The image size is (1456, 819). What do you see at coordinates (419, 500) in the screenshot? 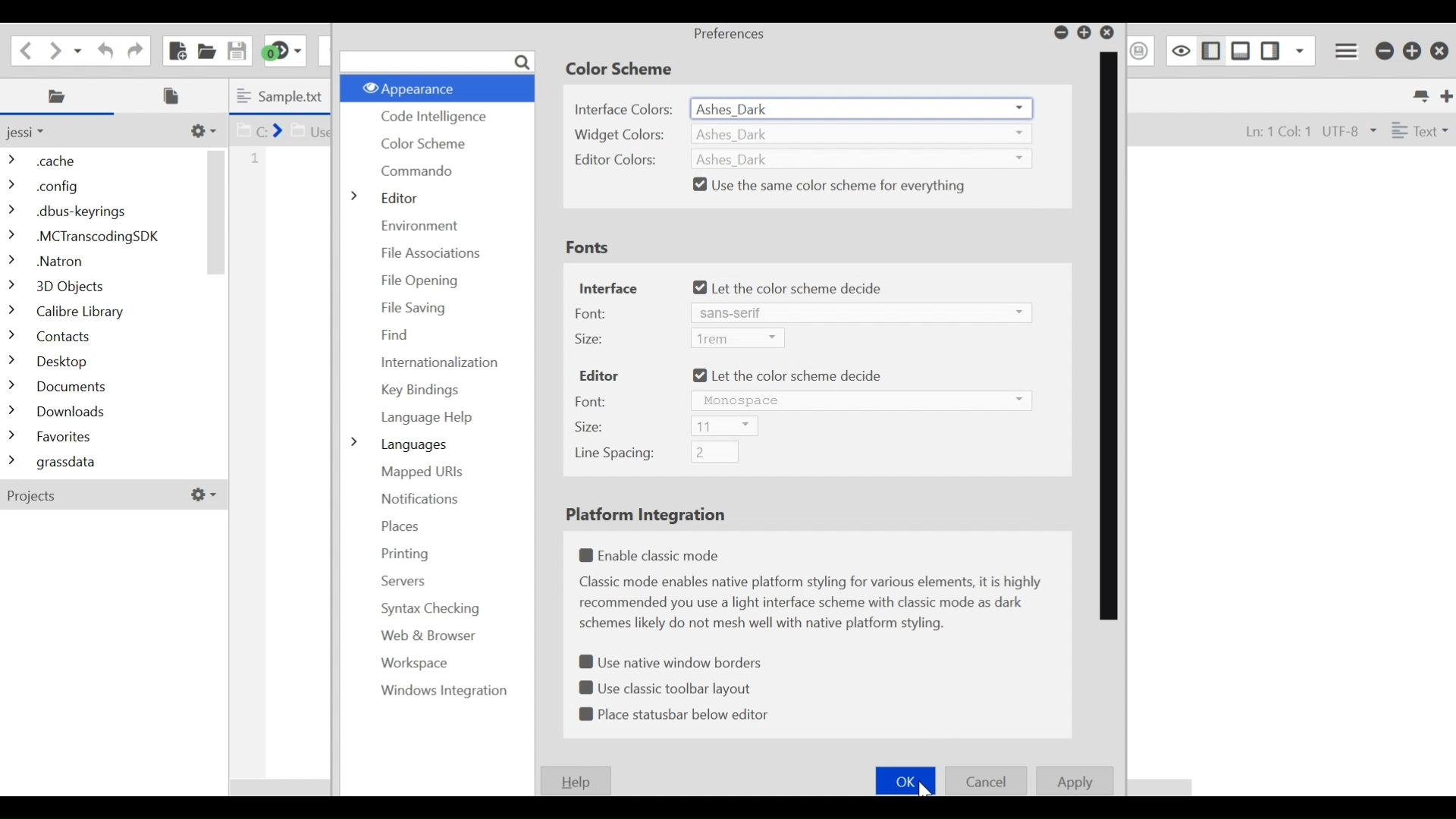
I see `Notifications` at bounding box center [419, 500].